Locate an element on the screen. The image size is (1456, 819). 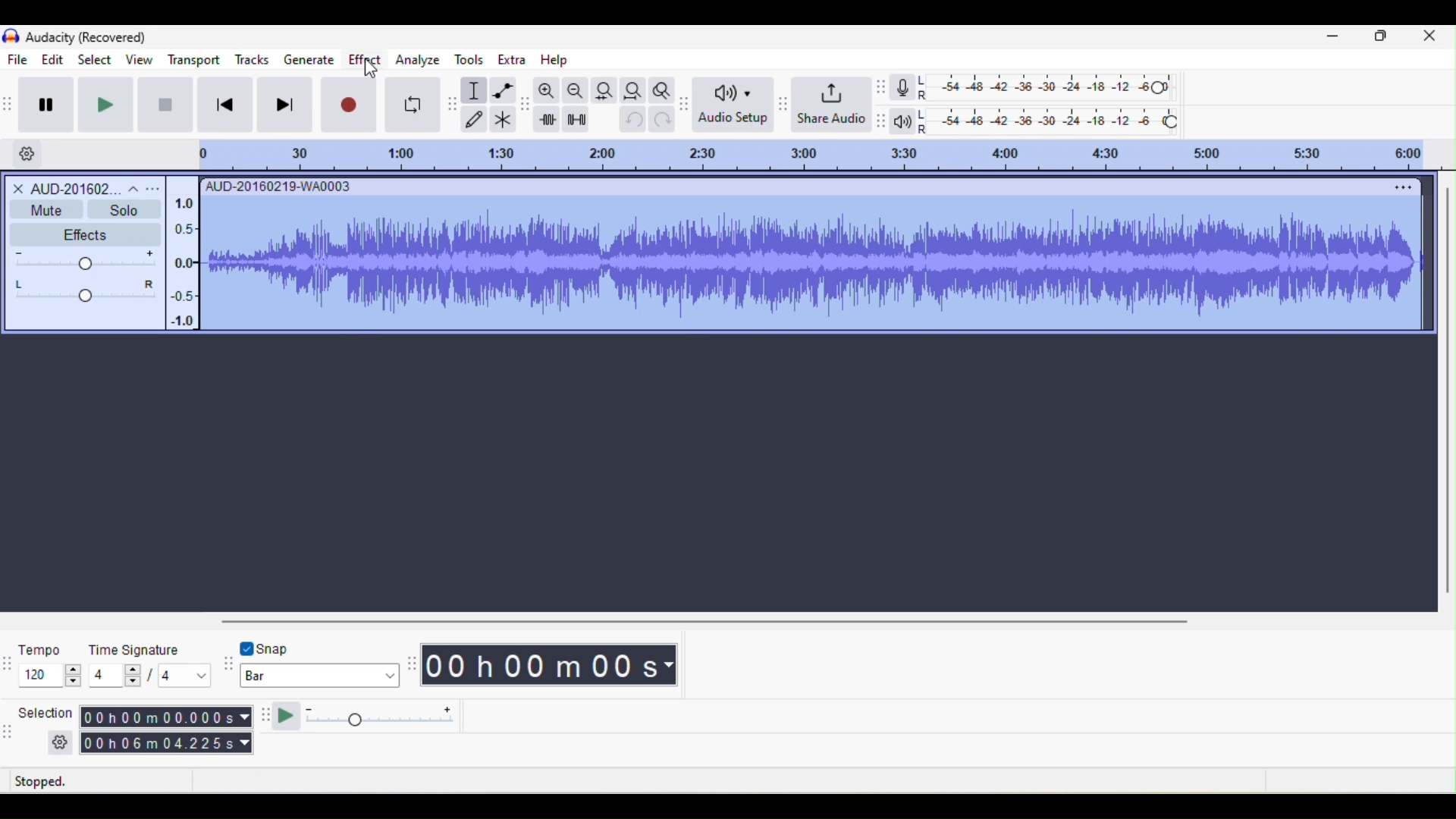
audacity tools toolbar is located at coordinates (453, 102).